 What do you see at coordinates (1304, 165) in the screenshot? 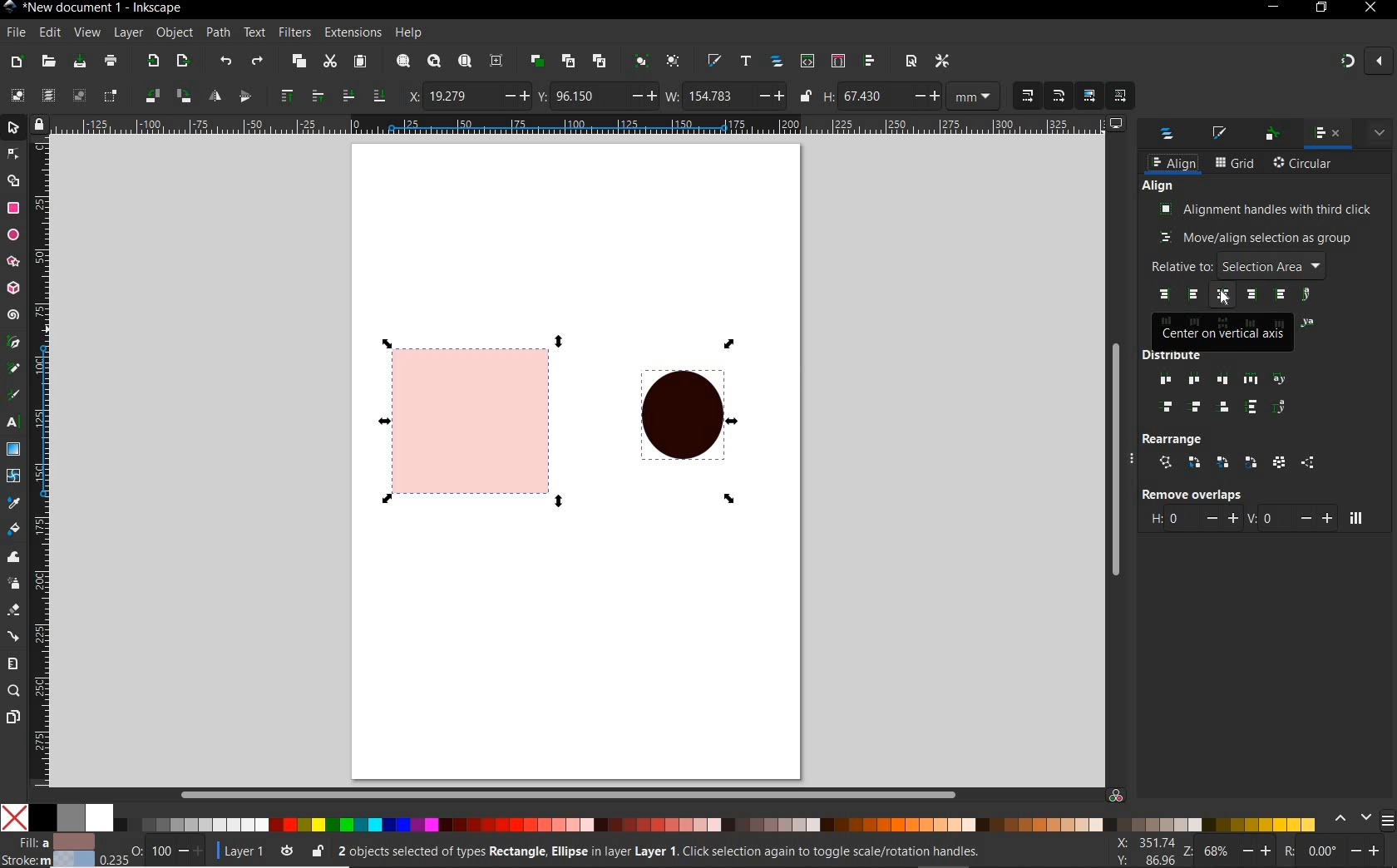
I see `circular` at bounding box center [1304, 165].